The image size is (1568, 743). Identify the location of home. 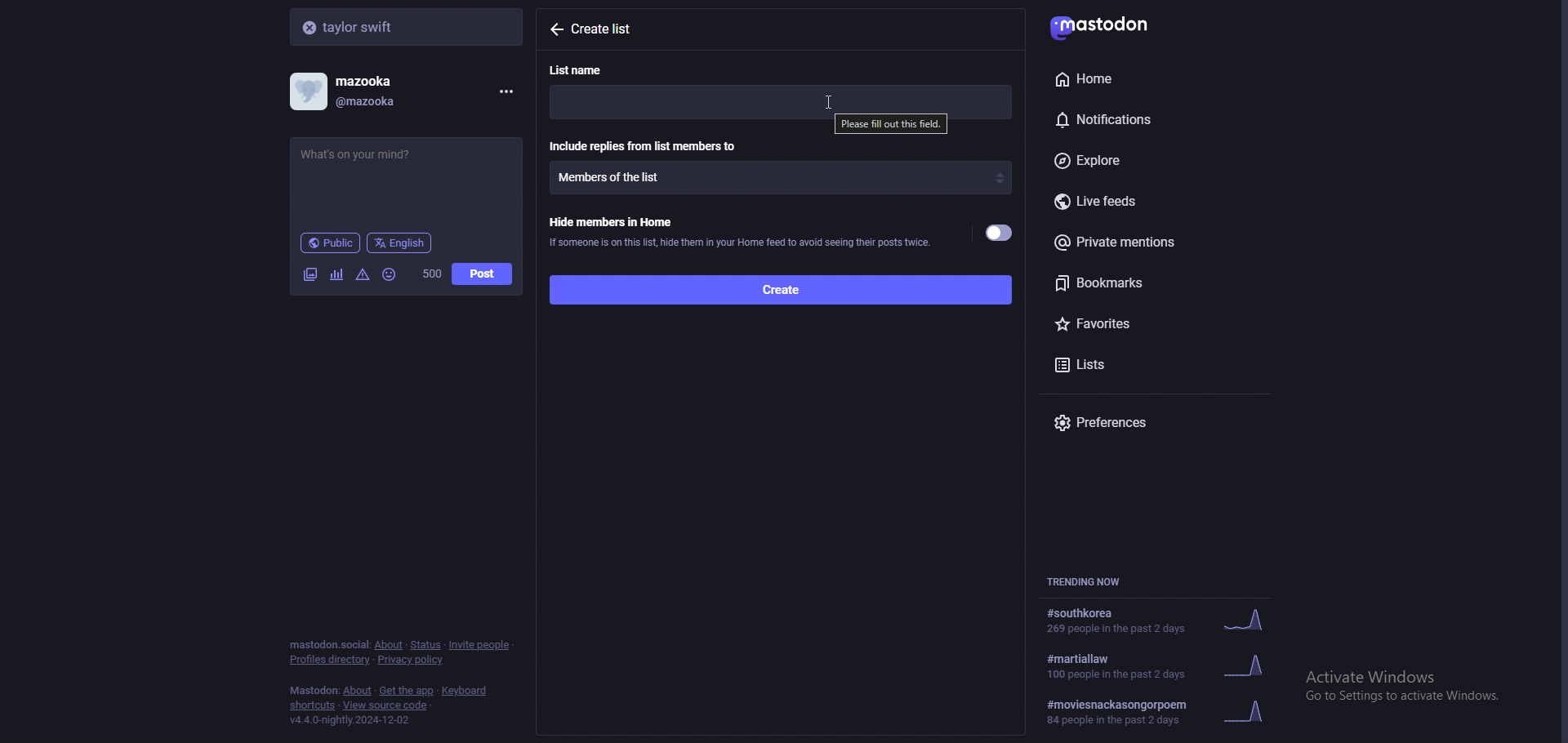
(1135, 78).